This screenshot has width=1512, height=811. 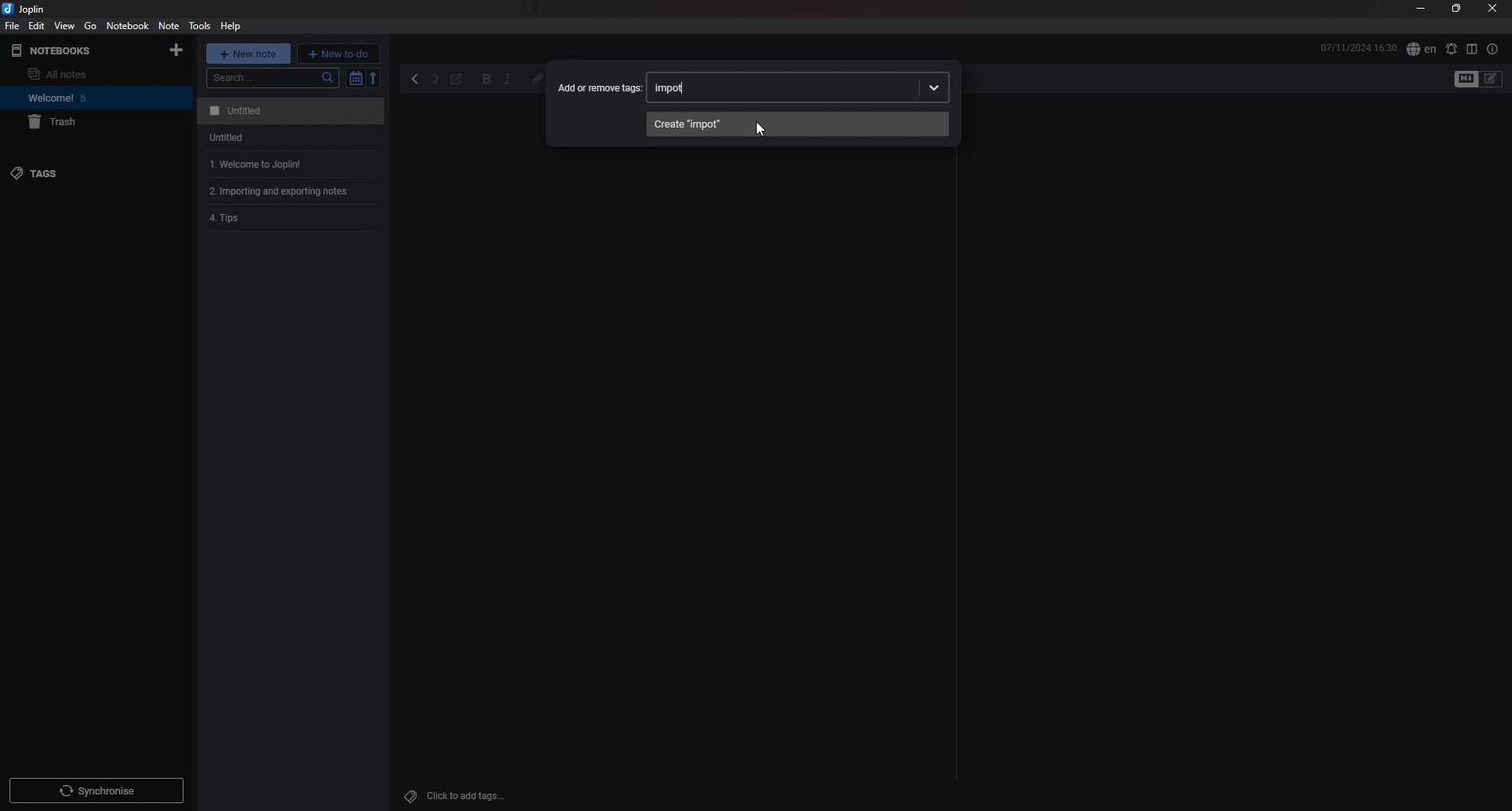 What do you see at coordinates (375, 77) in the screenshot?
I see `reverse sort order` at bounding box center [375, 77].